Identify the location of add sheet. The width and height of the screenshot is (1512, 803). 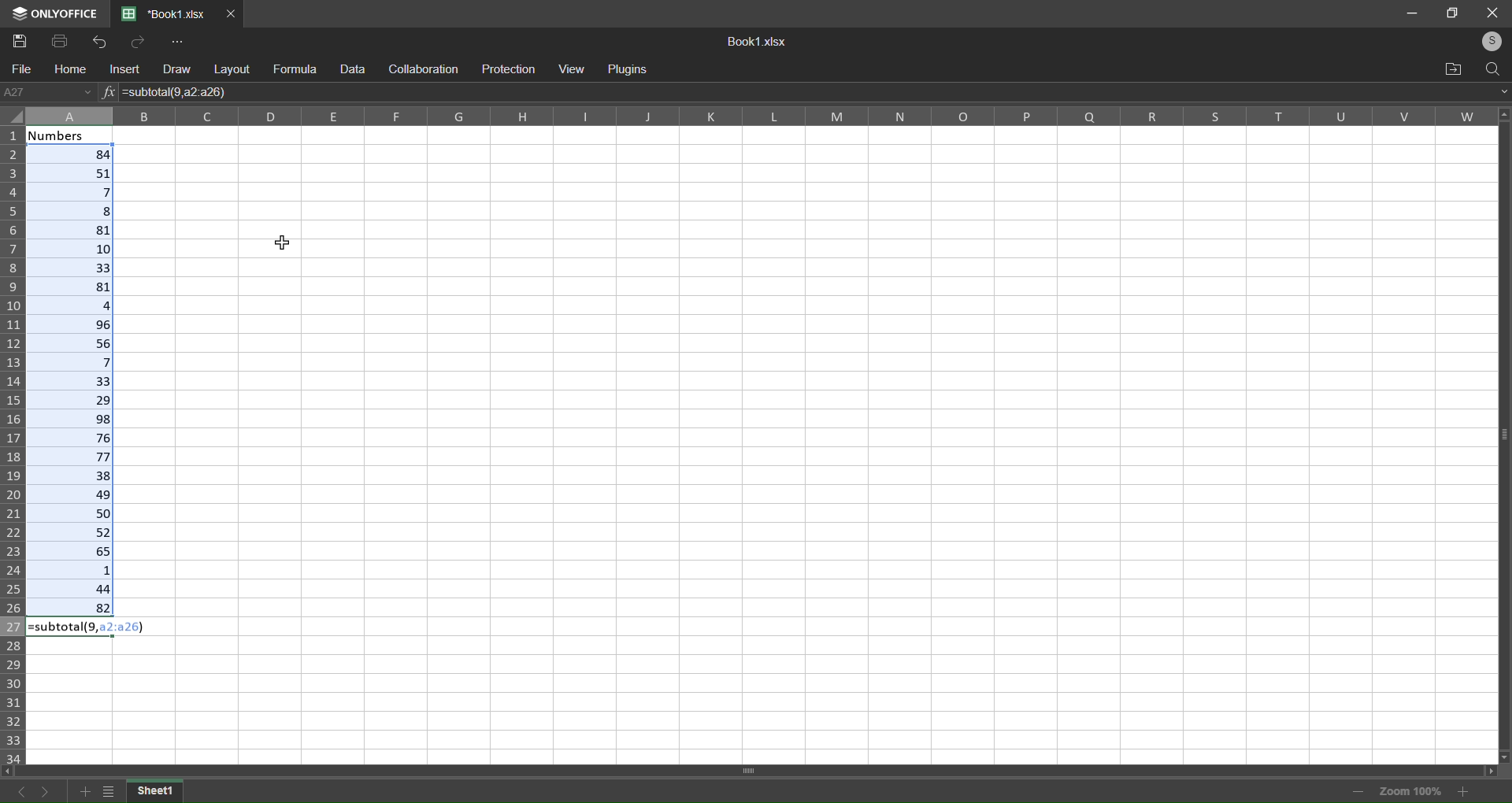
(85, 791).